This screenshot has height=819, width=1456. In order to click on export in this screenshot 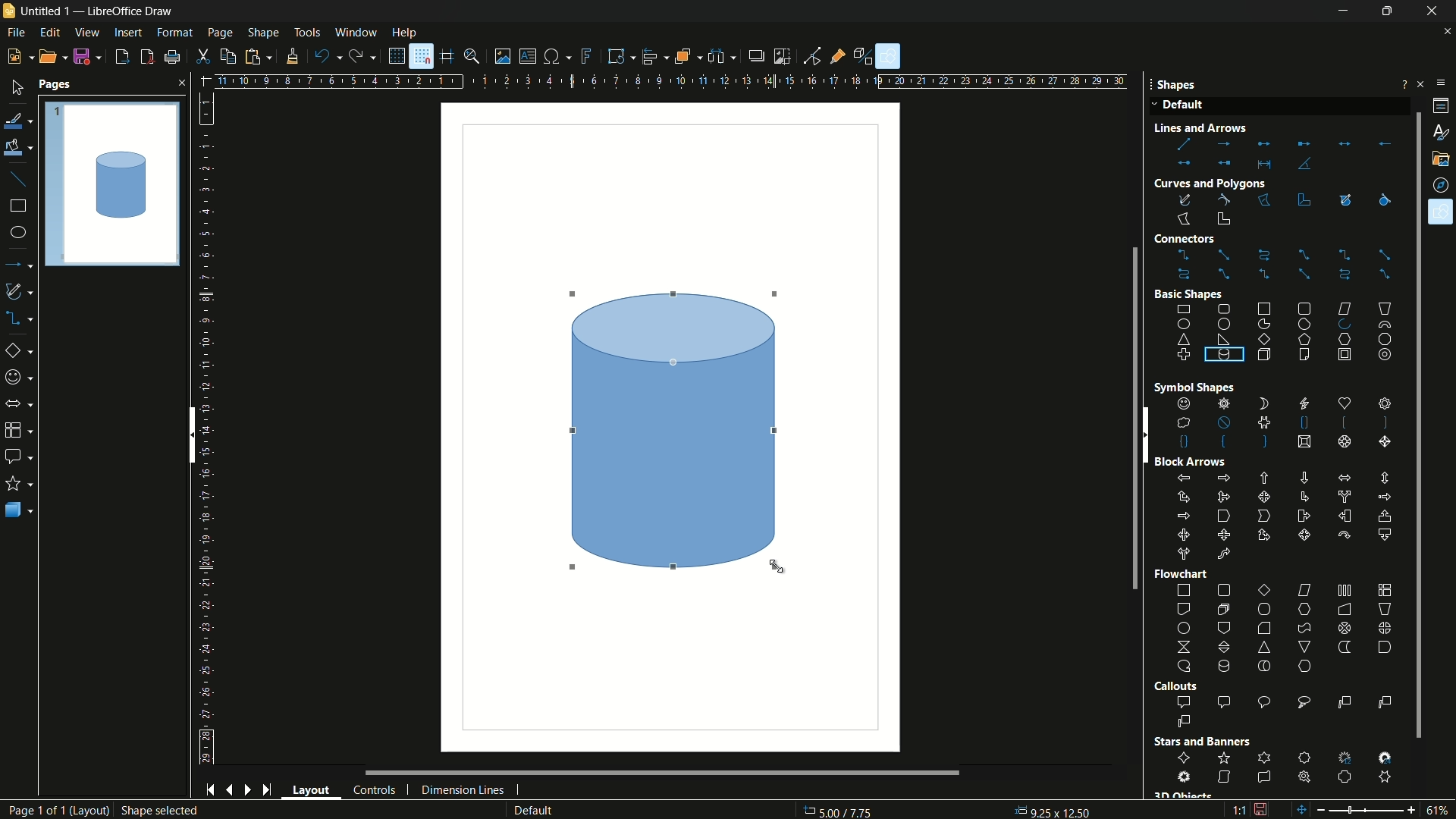, I will do `click(123, 58)`.